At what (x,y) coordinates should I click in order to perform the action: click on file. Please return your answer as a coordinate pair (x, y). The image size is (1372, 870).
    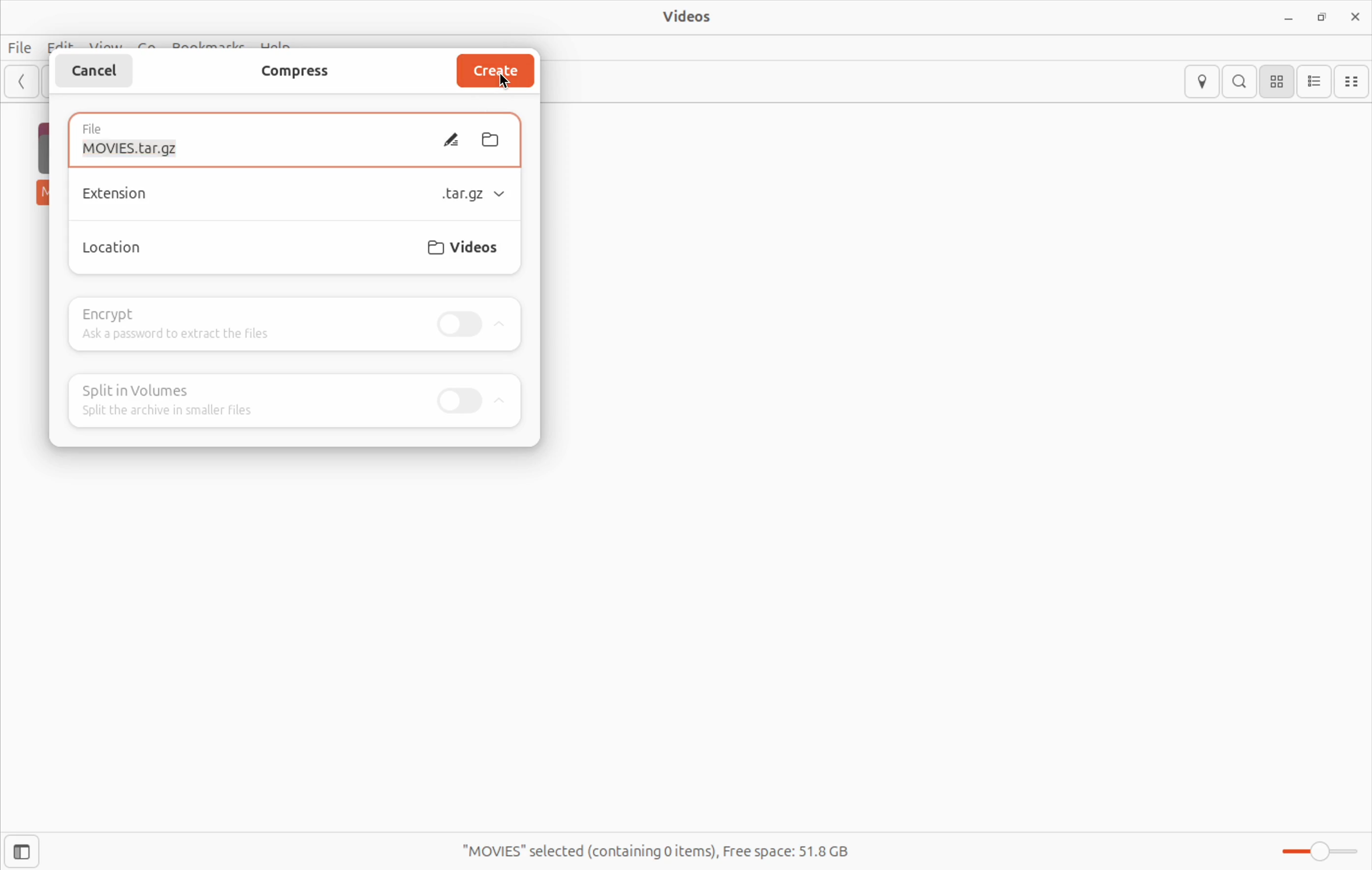
    Looking at the image, I should click on (96, 125).